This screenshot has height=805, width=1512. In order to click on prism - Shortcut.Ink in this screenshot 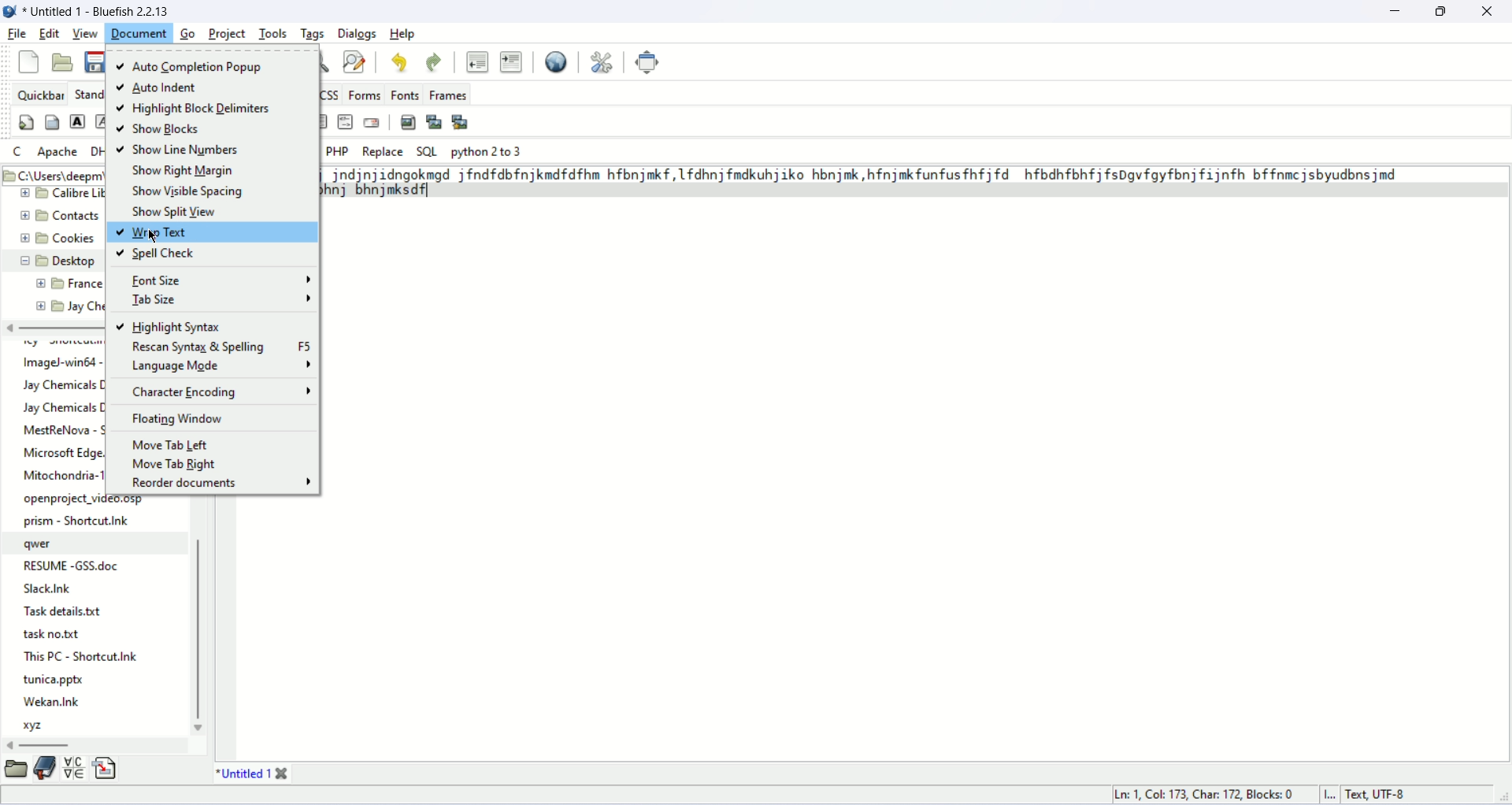, I will do `click(80, 521)`.